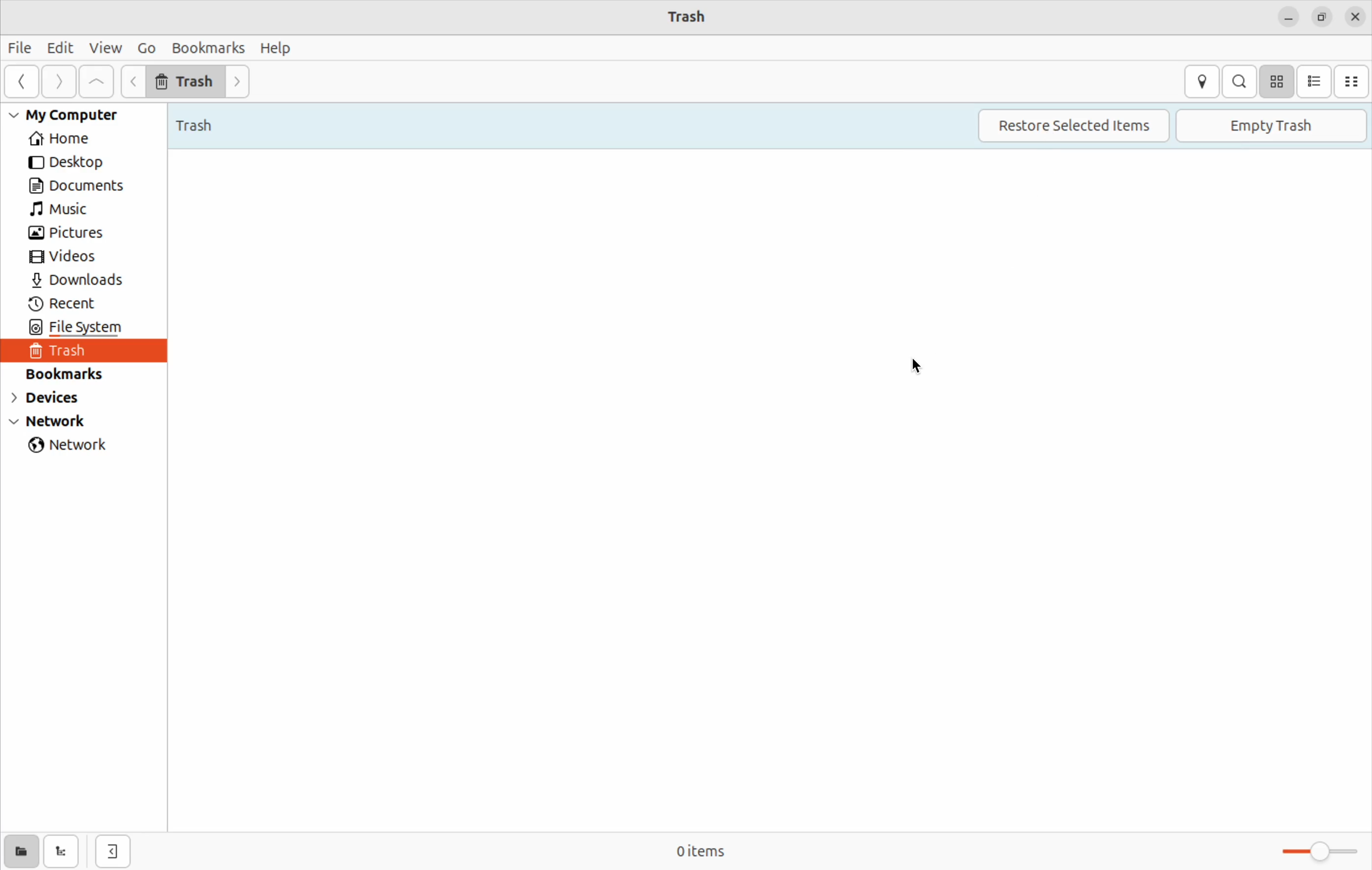 Image resolution: width=1372 pixels, height=870 pixels. What do you see at coordinates (59, 82) in the screenshot?
I see `next` at bounding box center [59, 82].